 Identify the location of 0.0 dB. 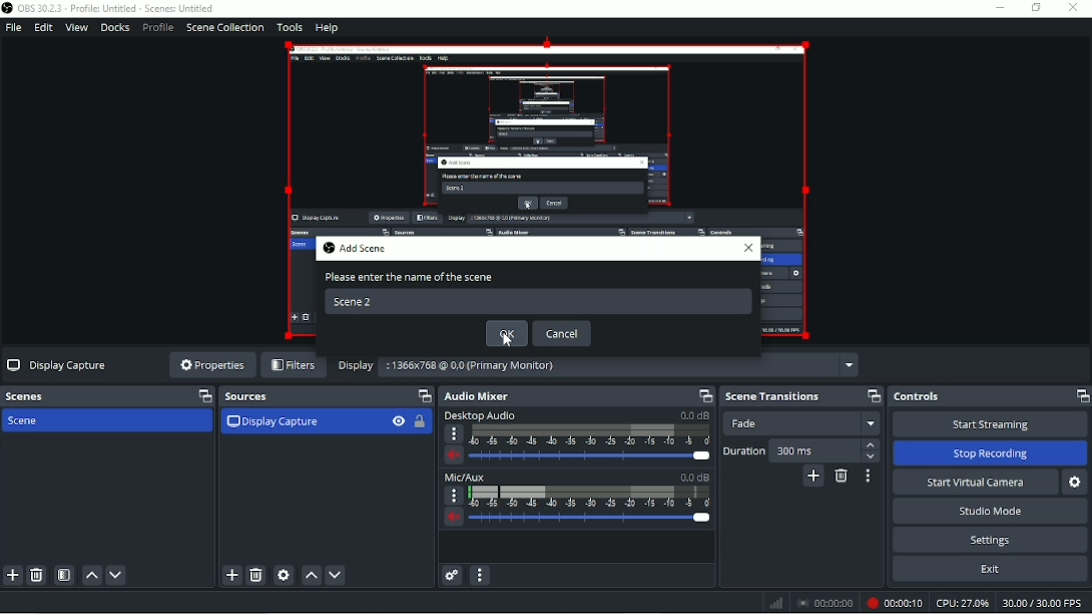
(693, 477).